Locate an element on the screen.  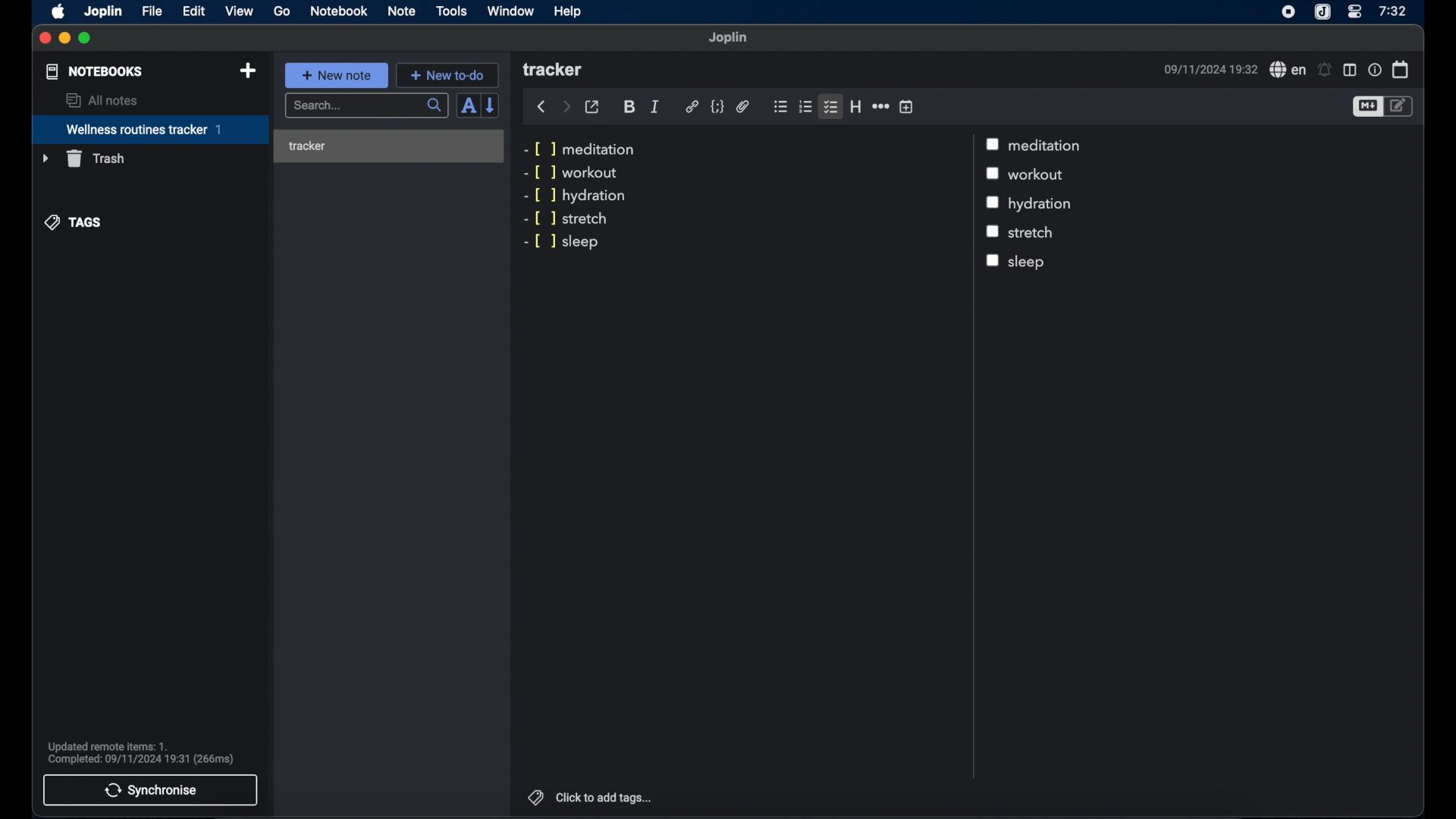
toggle editor is located at coordinates (1367, 106).